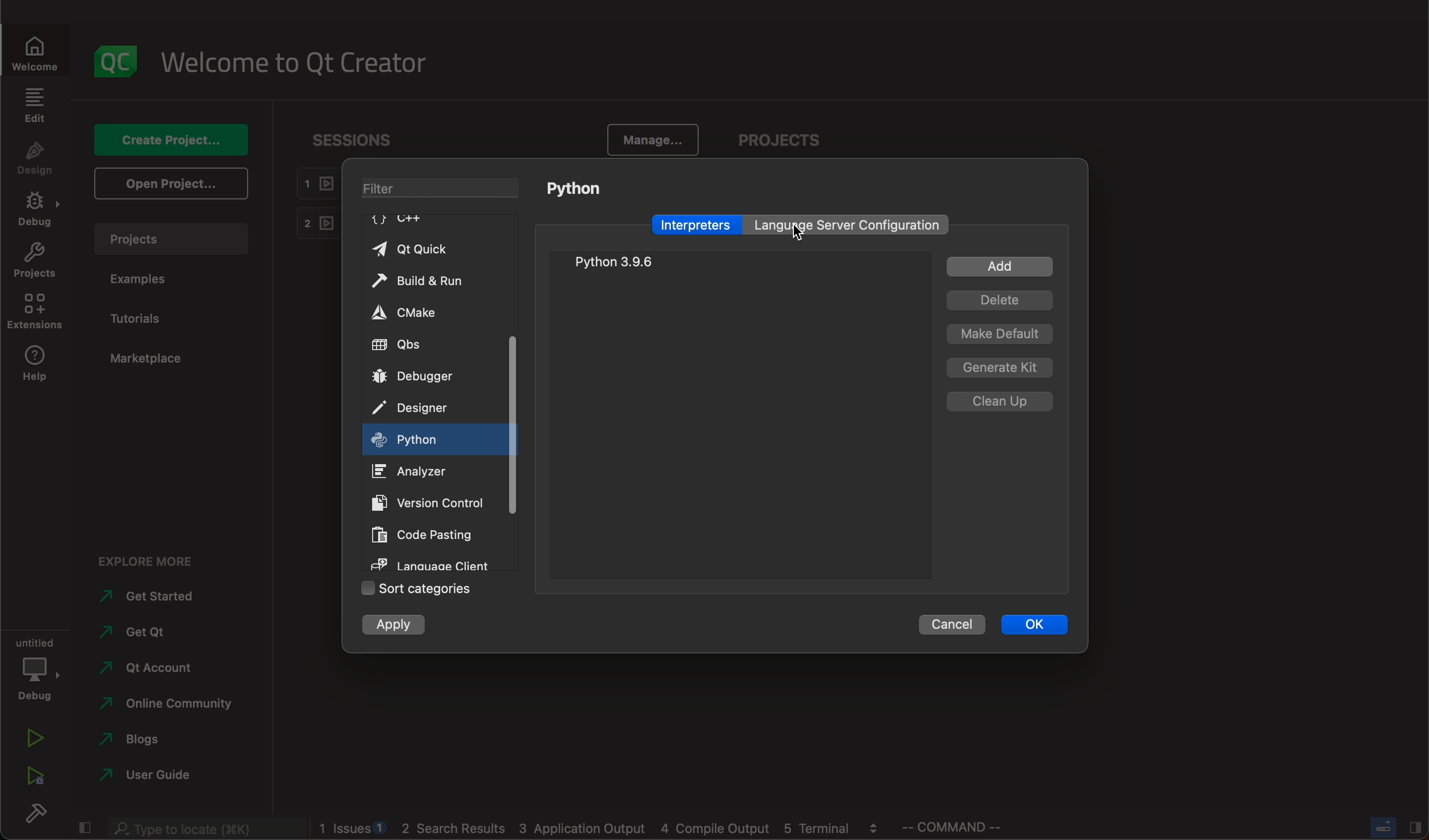 Image resolution: width=1429 pixels, height=840 pixels. Describe the element at coordinates (151, 669) in the screenshot. I see `account` at that location.